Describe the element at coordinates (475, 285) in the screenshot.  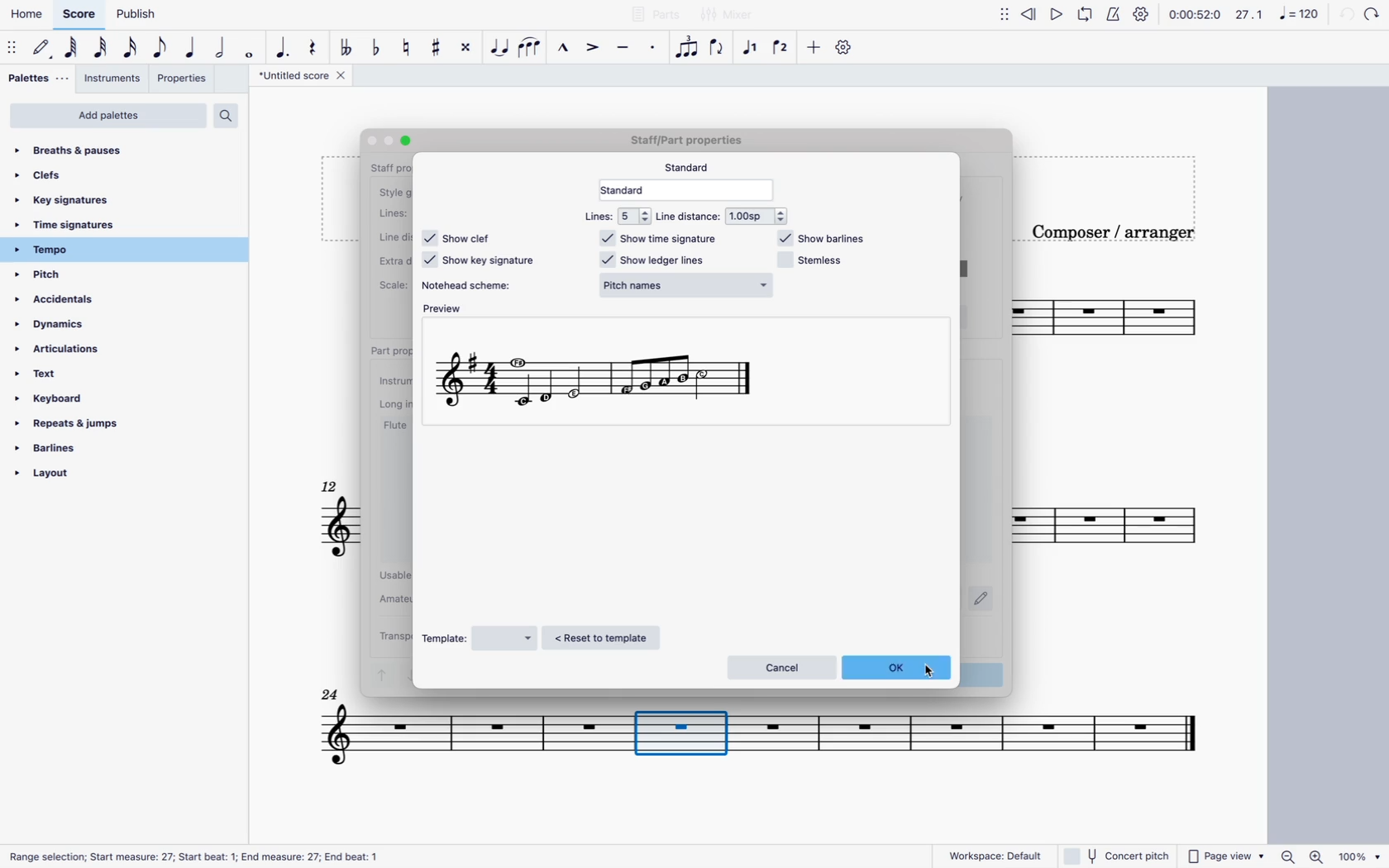
I see `notehead scheme` at that location.